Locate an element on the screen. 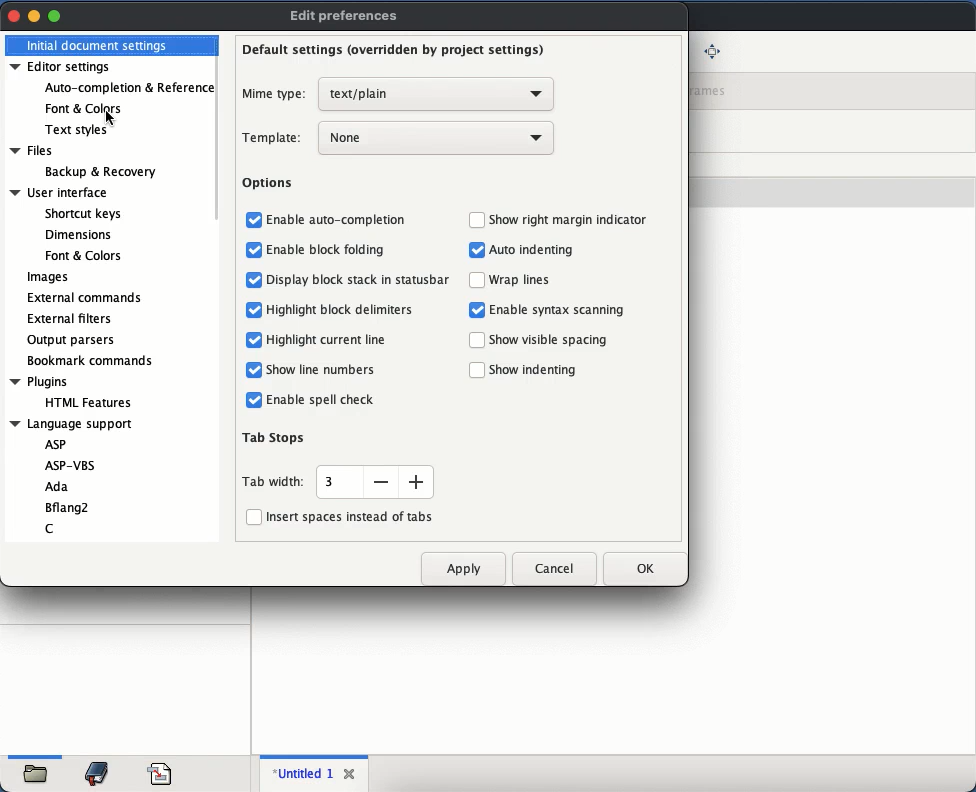 Image resolution: width=976 pixels, height=792 pixels. show indenting is located at coordinates (538, 369).